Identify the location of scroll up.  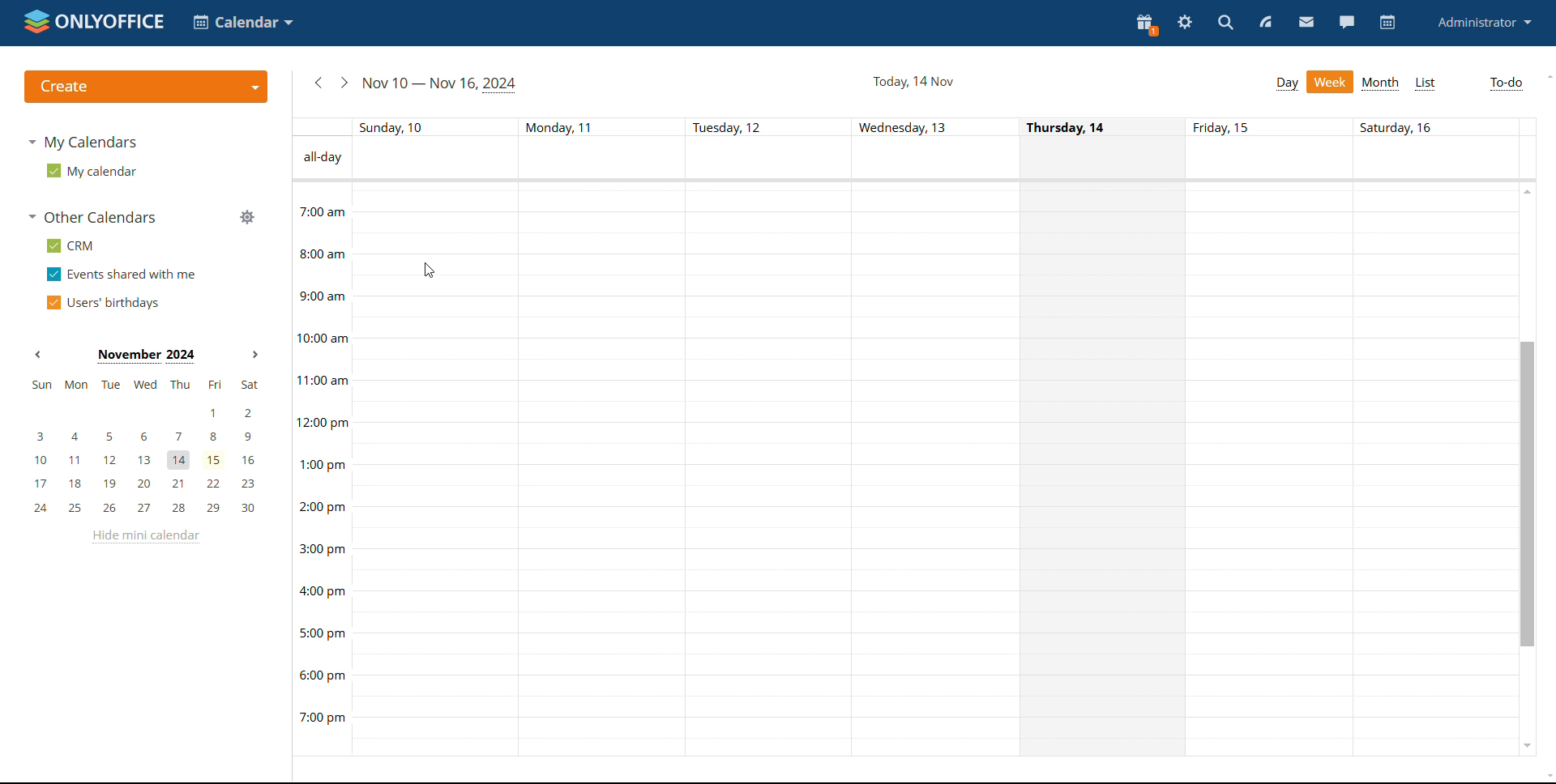
(1526, 192).